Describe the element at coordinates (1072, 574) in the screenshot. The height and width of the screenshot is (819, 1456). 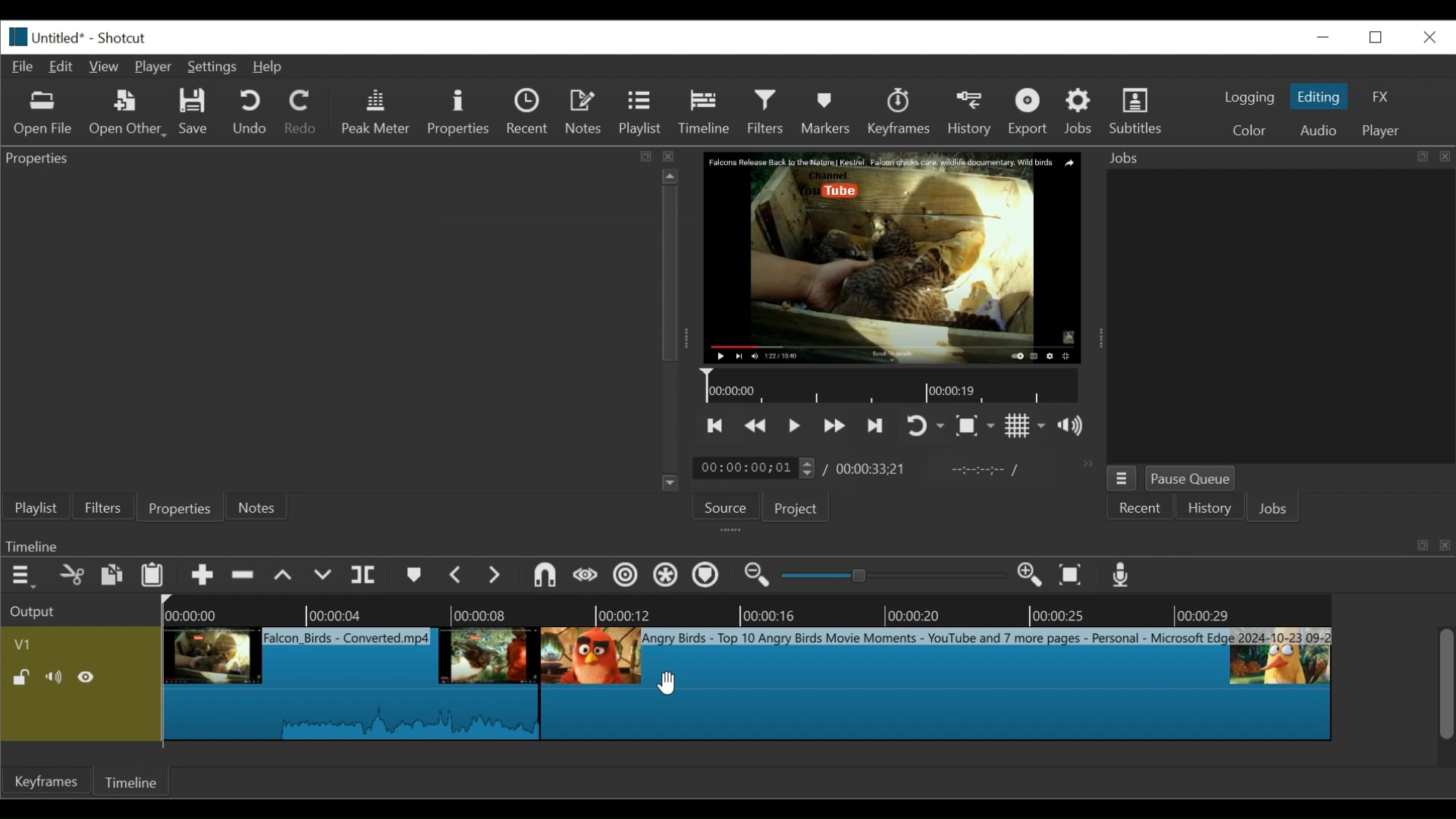
I see `Zoom Timeline to fit` at that location.